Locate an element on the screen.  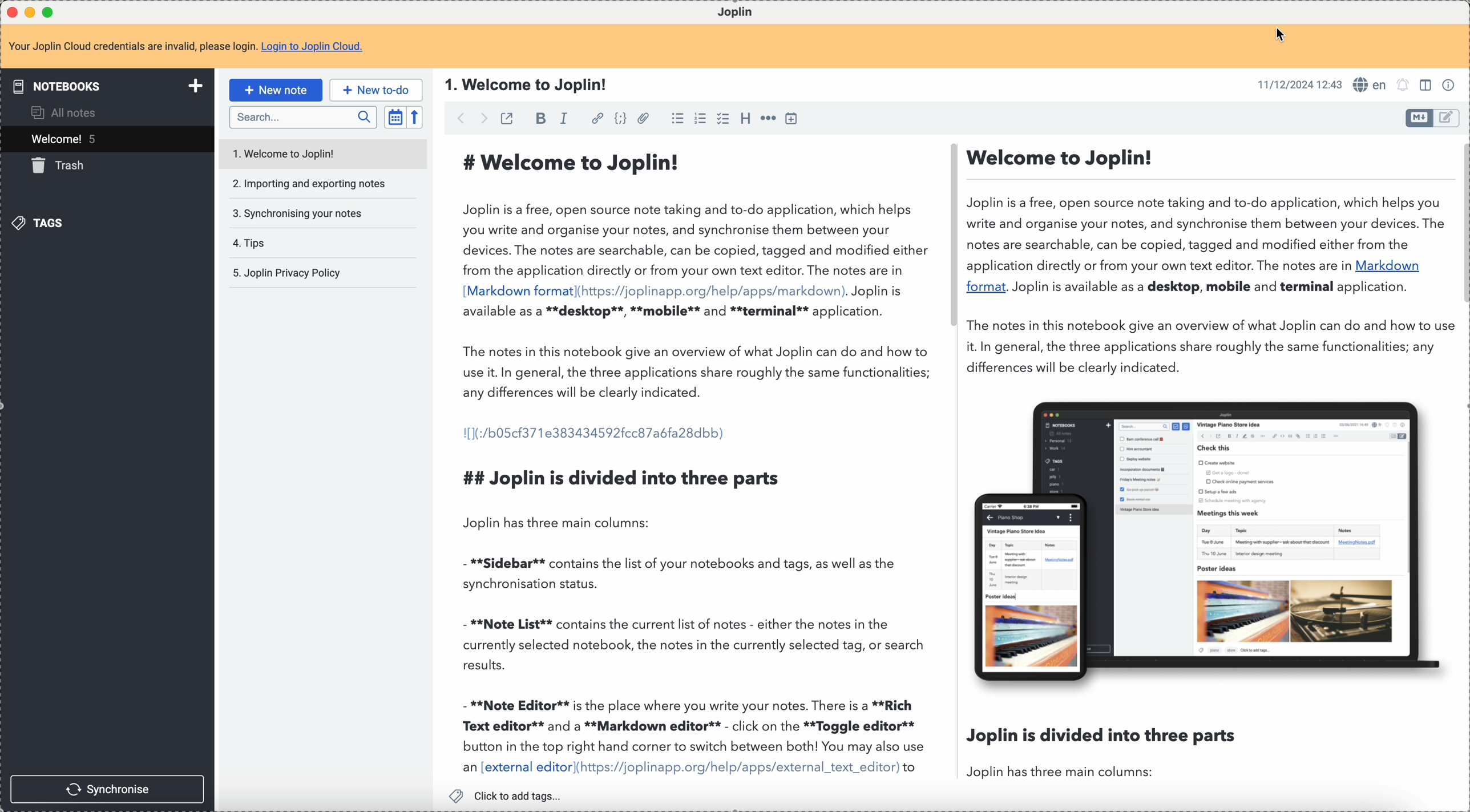
maximize is located at coordinates (50, 13).